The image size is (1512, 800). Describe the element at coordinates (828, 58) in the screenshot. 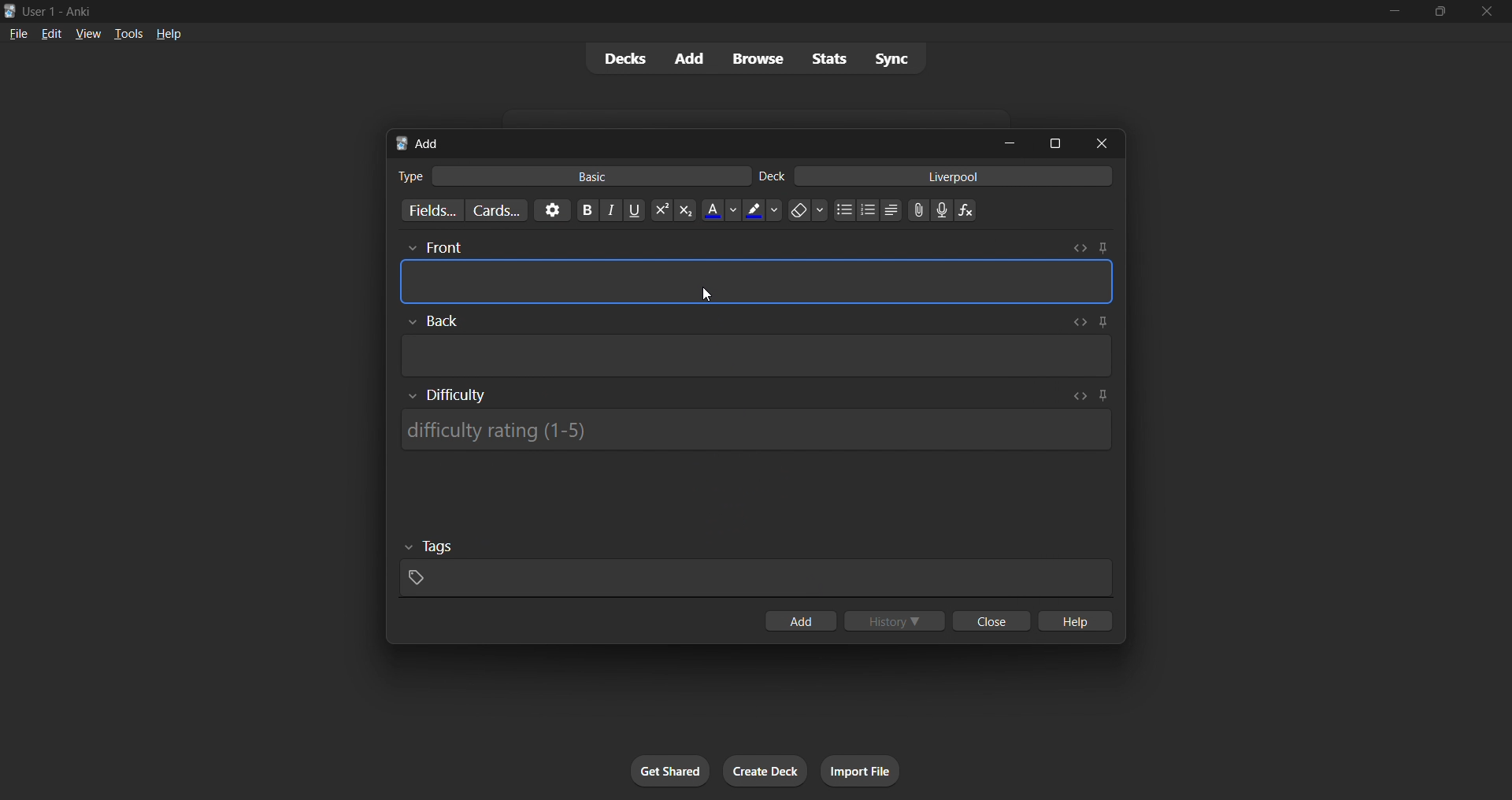

I see `stats` at that location.